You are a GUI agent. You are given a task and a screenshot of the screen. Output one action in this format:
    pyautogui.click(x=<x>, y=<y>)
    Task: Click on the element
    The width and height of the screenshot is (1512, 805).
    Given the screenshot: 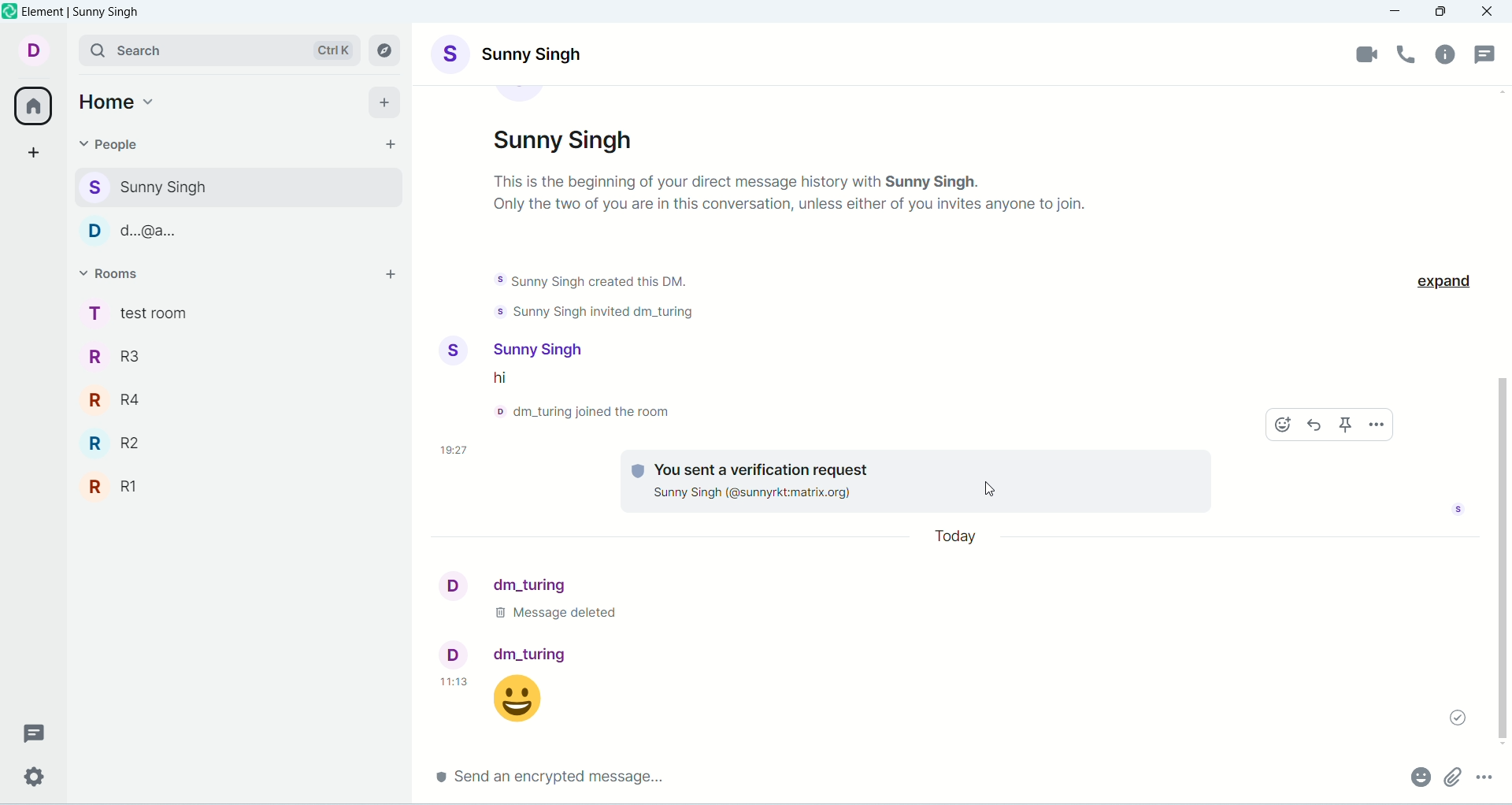 What is the action you would take?
    pyautogui.click(x=83, y=11)
    